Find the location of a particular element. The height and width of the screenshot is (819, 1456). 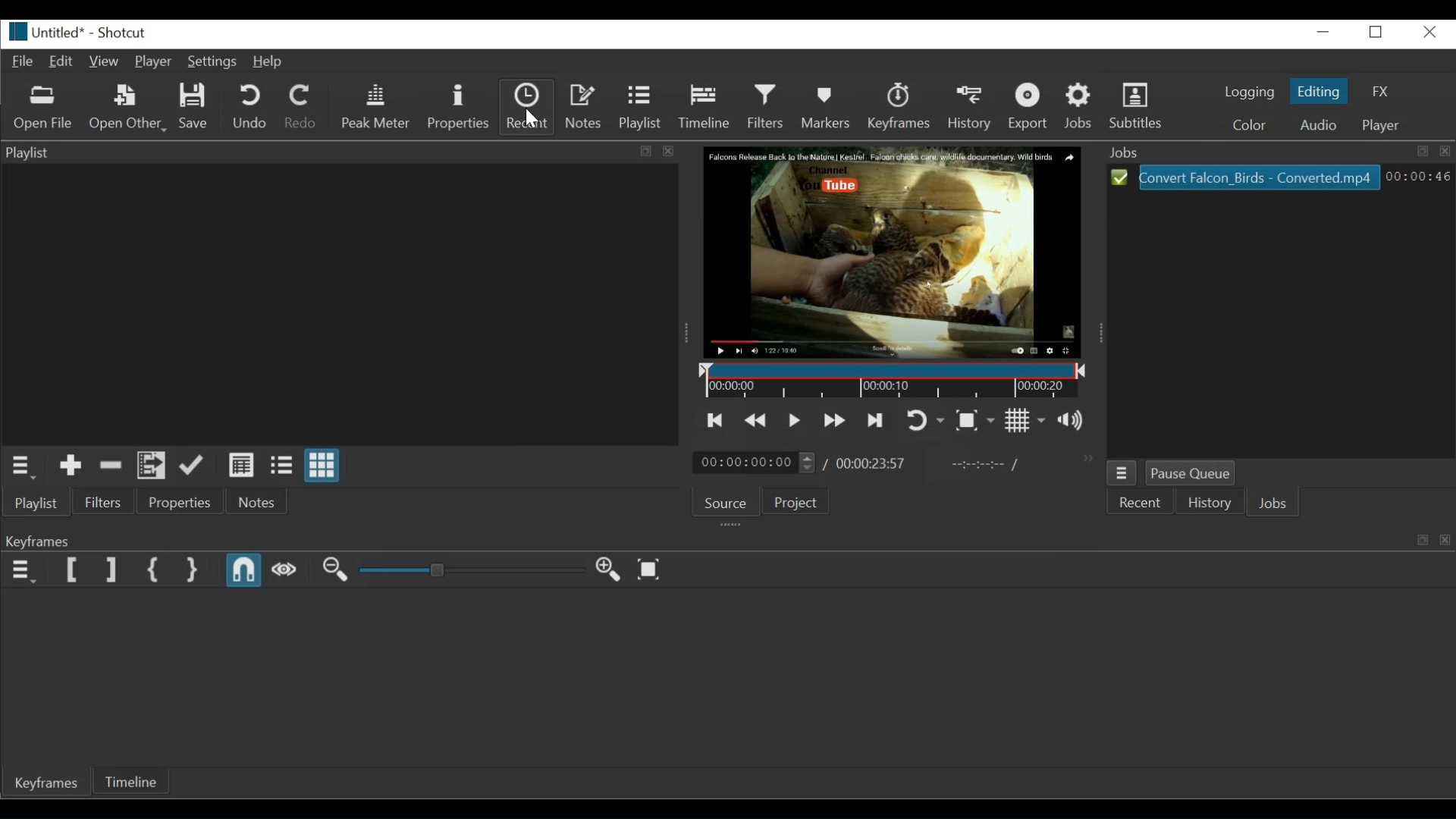

/00:00:23:57(Total Duration) is located at coordinates (866, 463).